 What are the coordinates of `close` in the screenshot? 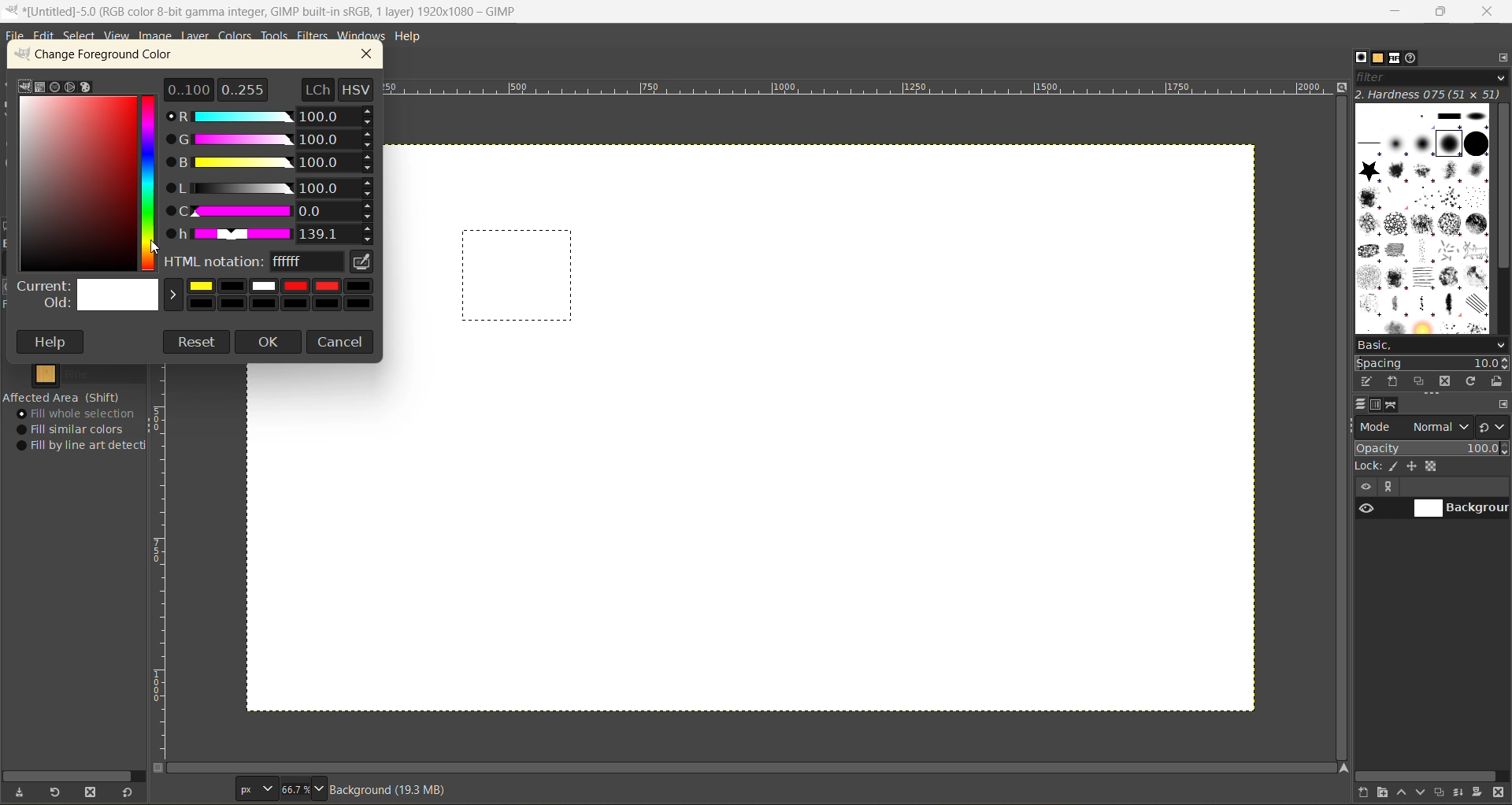 It's located at (1491, 11).